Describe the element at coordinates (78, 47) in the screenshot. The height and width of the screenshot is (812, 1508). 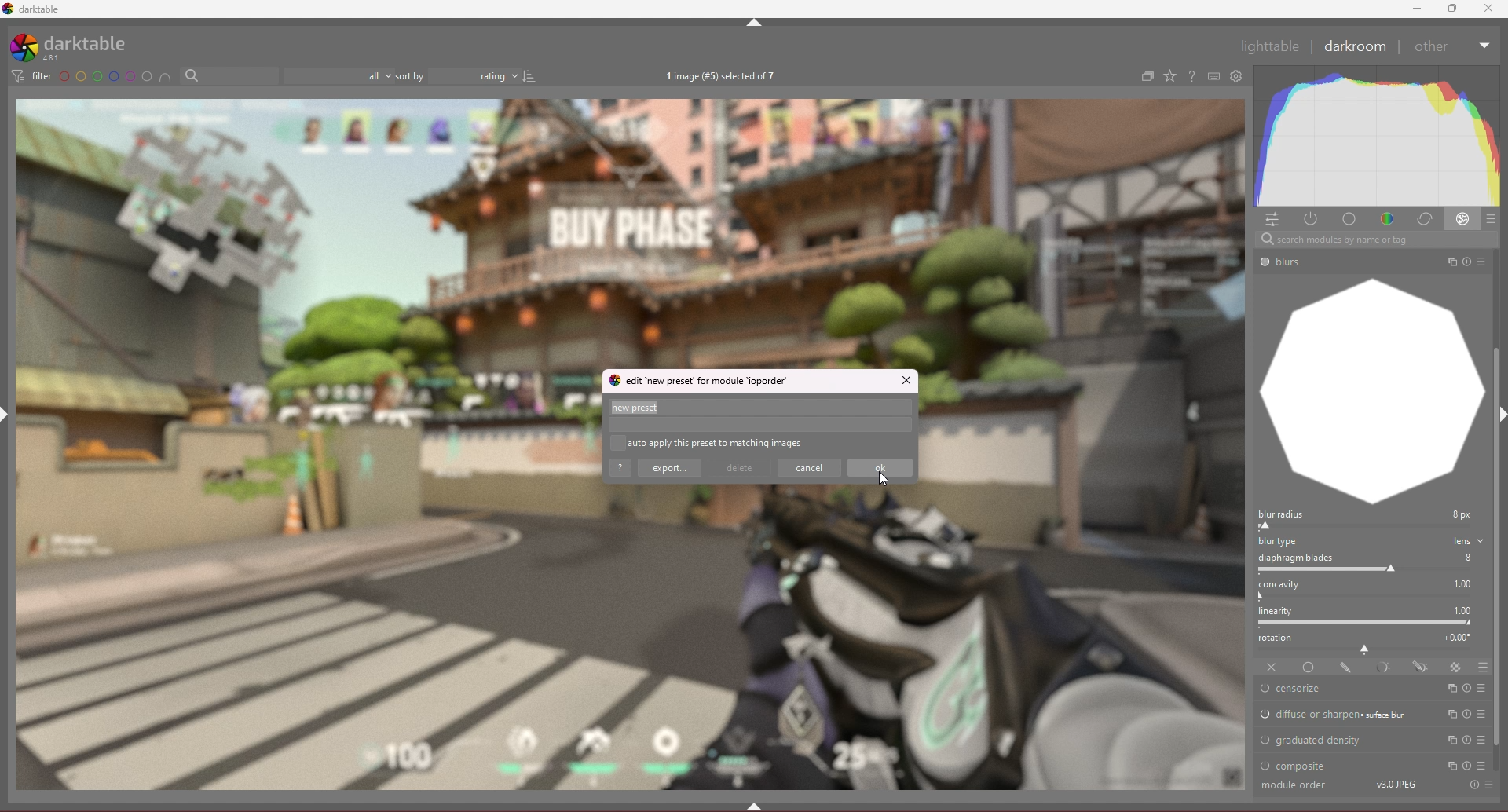
I see `darktable` at that location.